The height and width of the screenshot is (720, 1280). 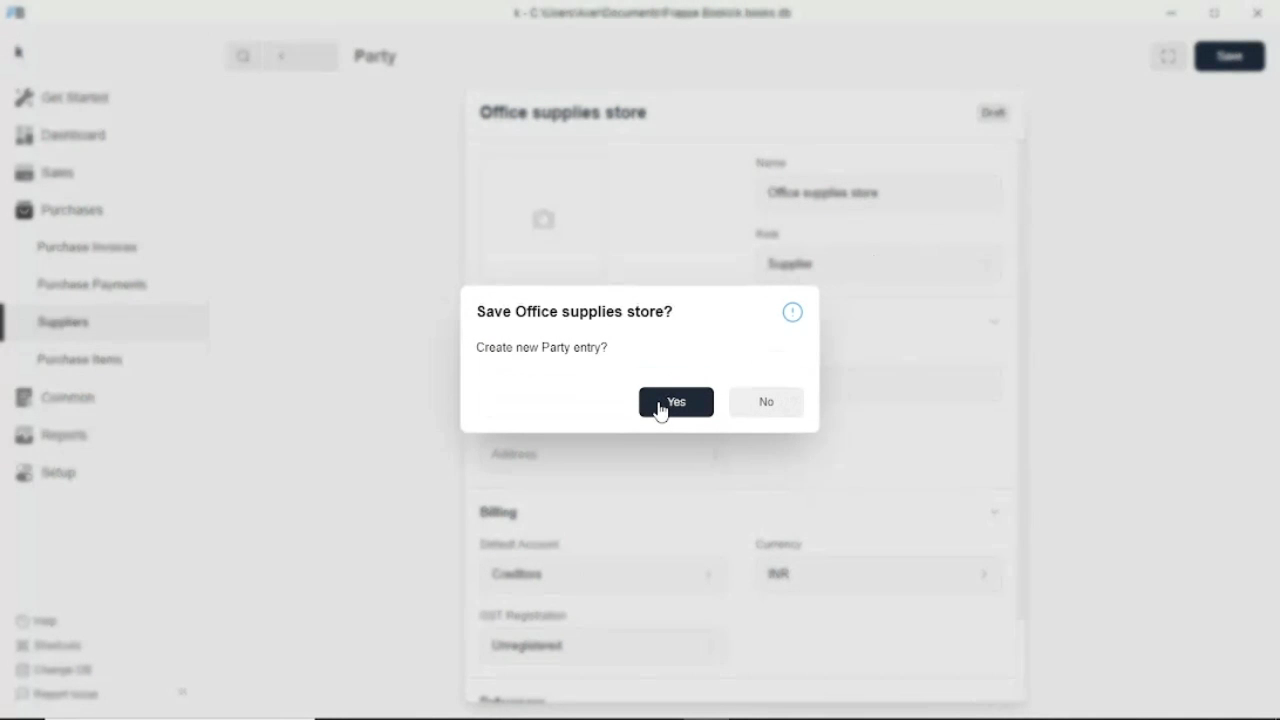 I want to click on Common, so click(x=55, y=398).